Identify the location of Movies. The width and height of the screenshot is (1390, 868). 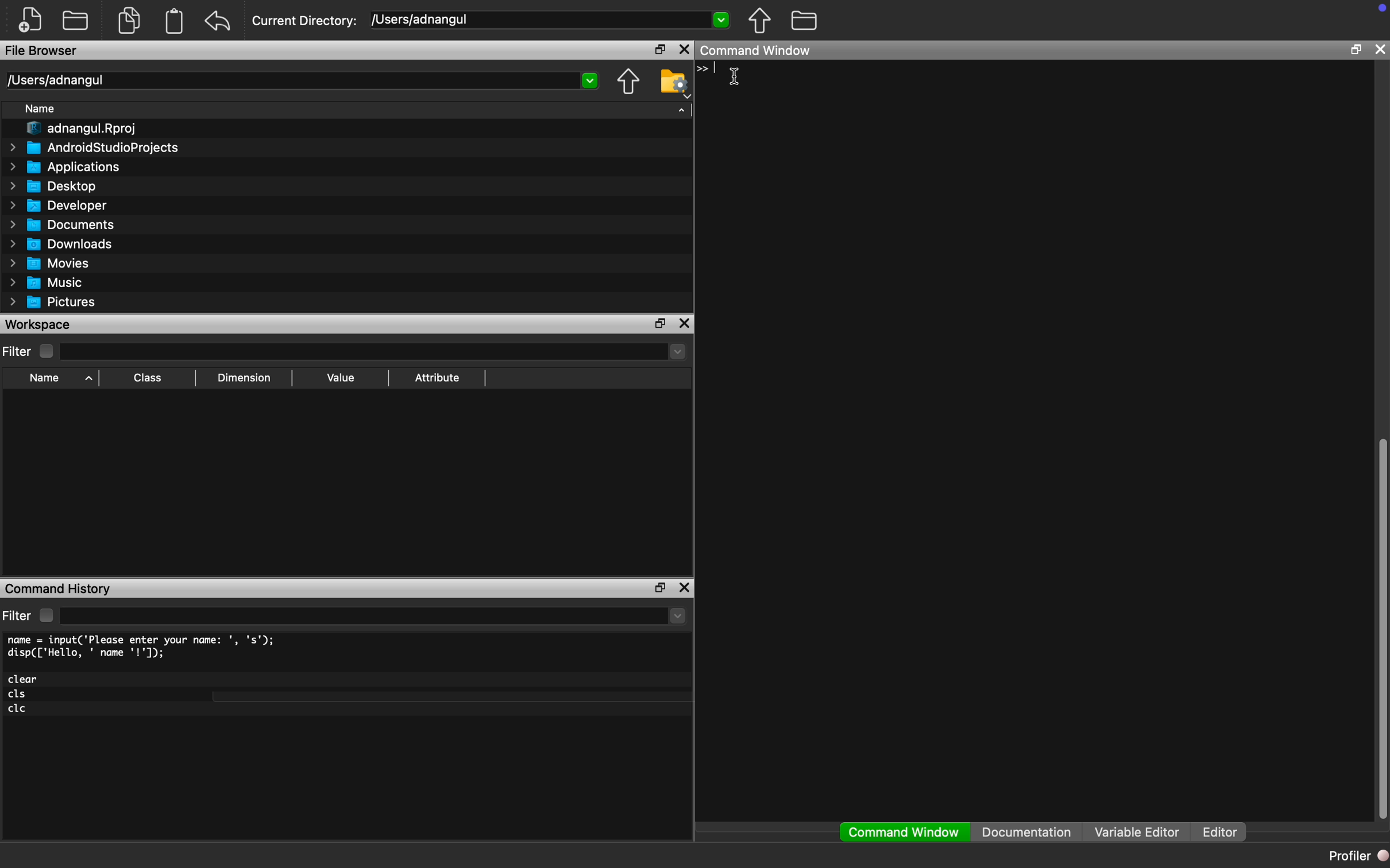
(47, 263).